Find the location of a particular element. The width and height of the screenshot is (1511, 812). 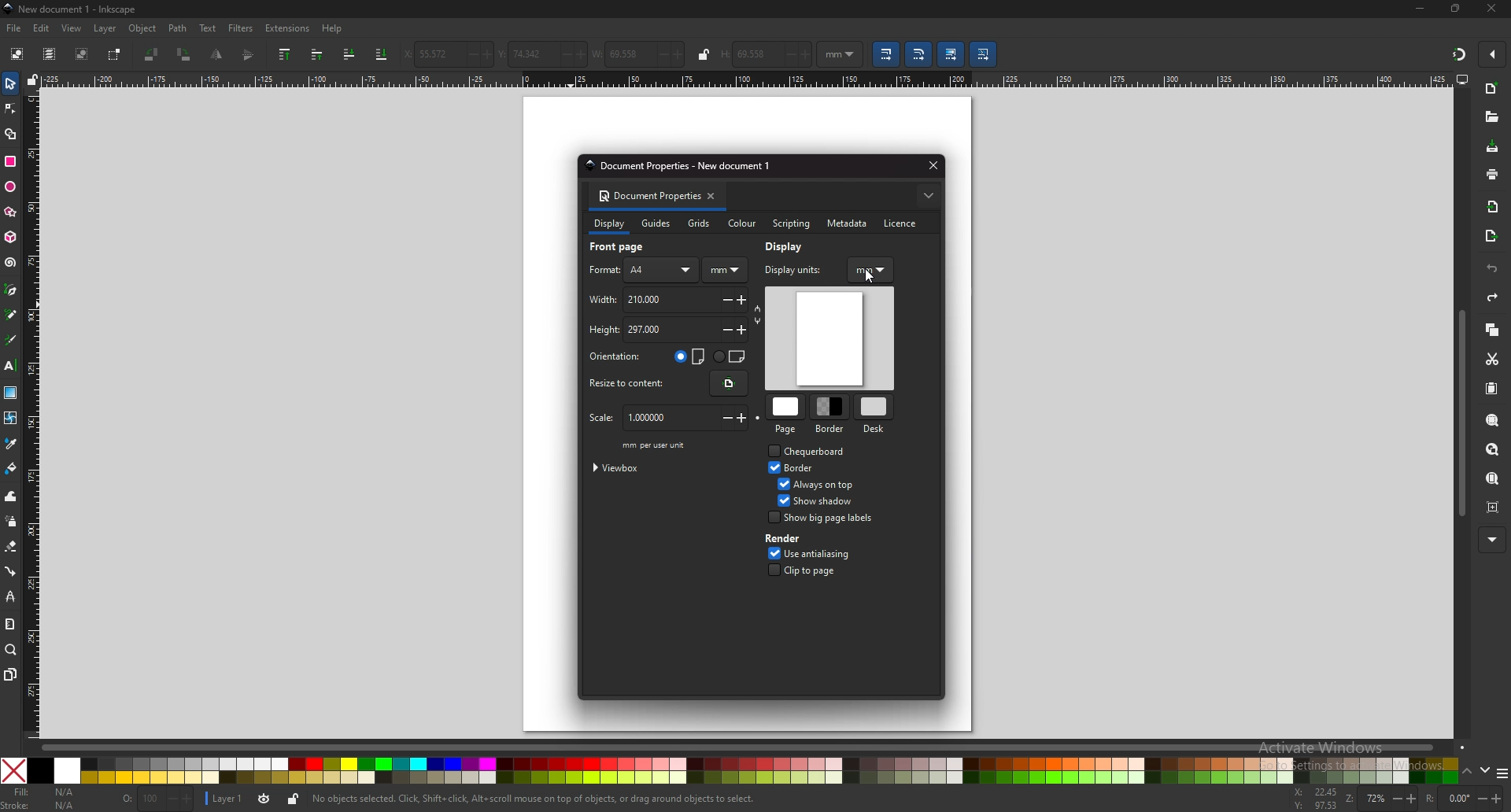

selector is located at coordinates (10, 83).